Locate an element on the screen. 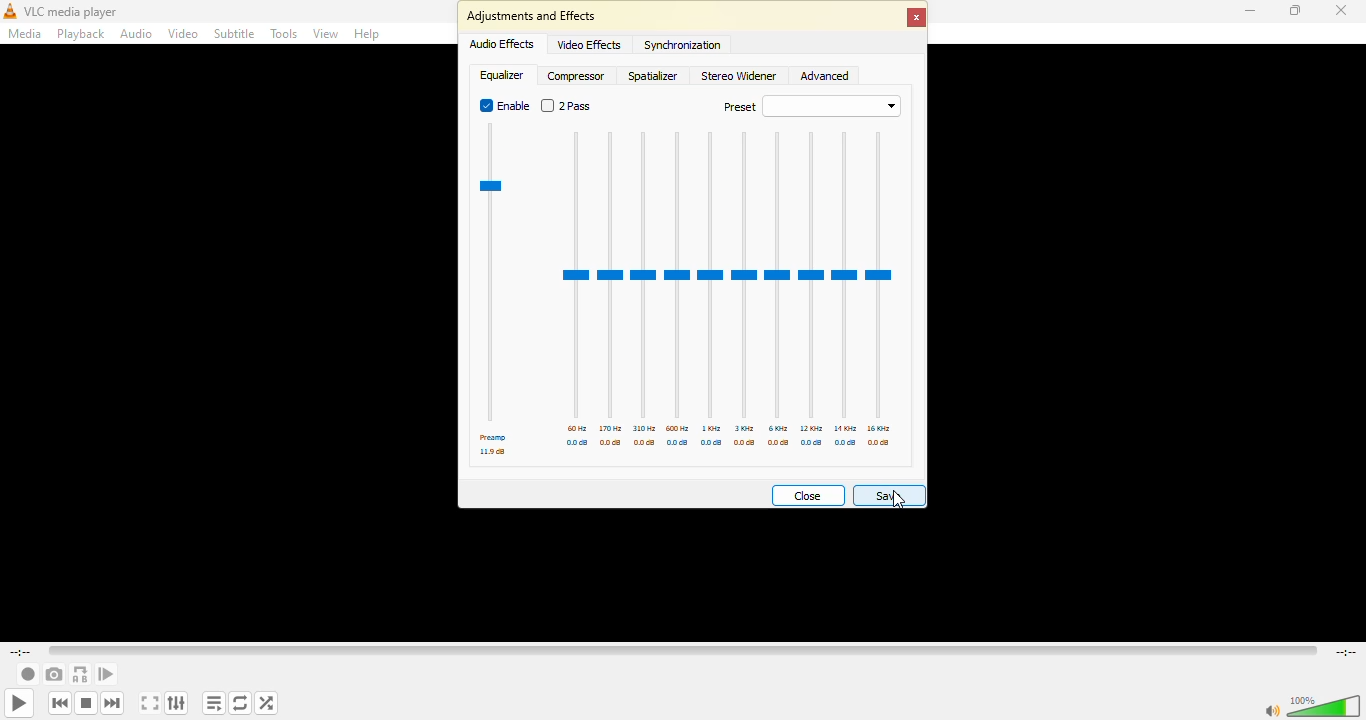 The width and height of the screenshot is (1366, 720). db is located at coordinates (492, 453).